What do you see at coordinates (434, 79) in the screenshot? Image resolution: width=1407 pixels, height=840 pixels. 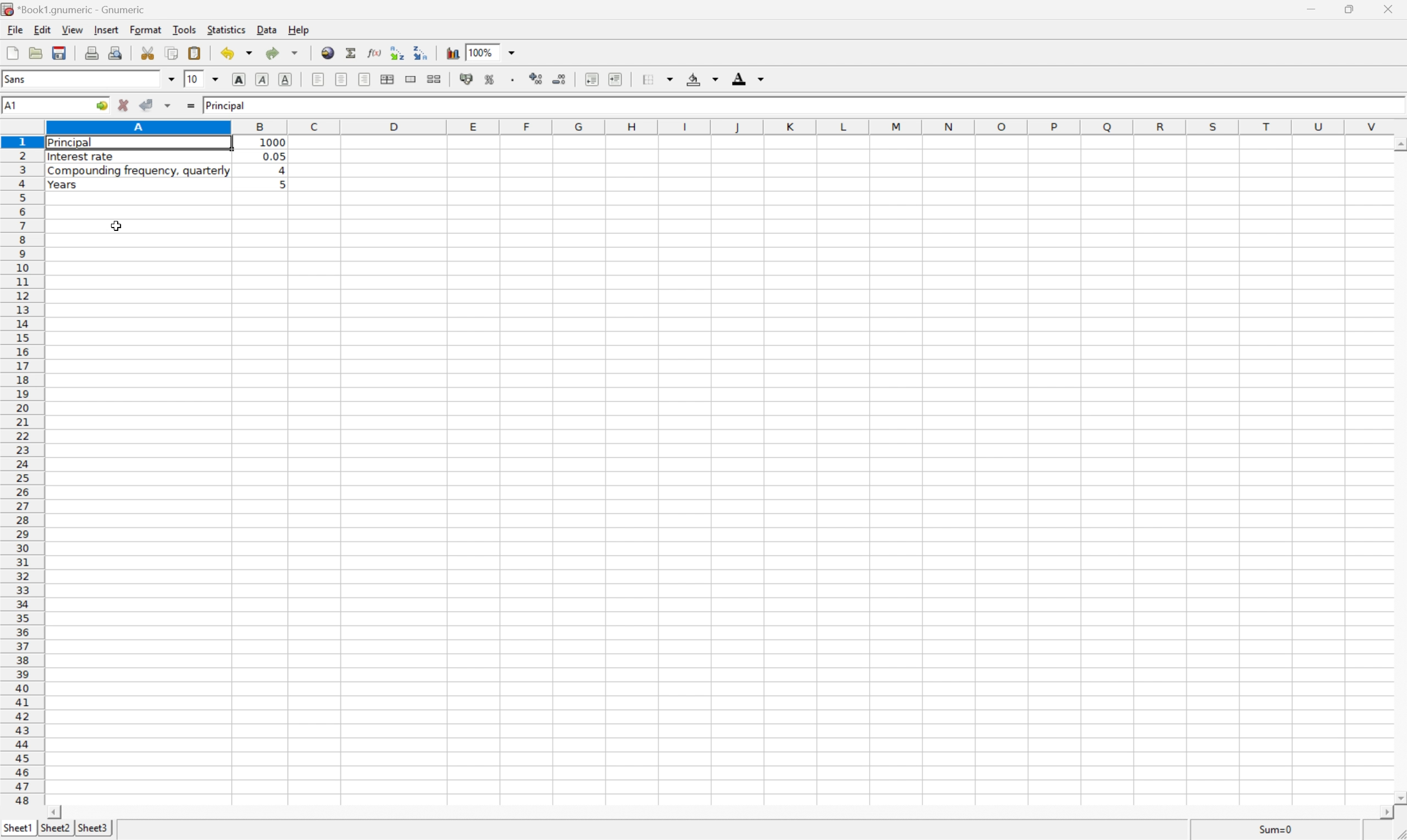 I see `split merged range of cells` at bounding box center [434, 79].